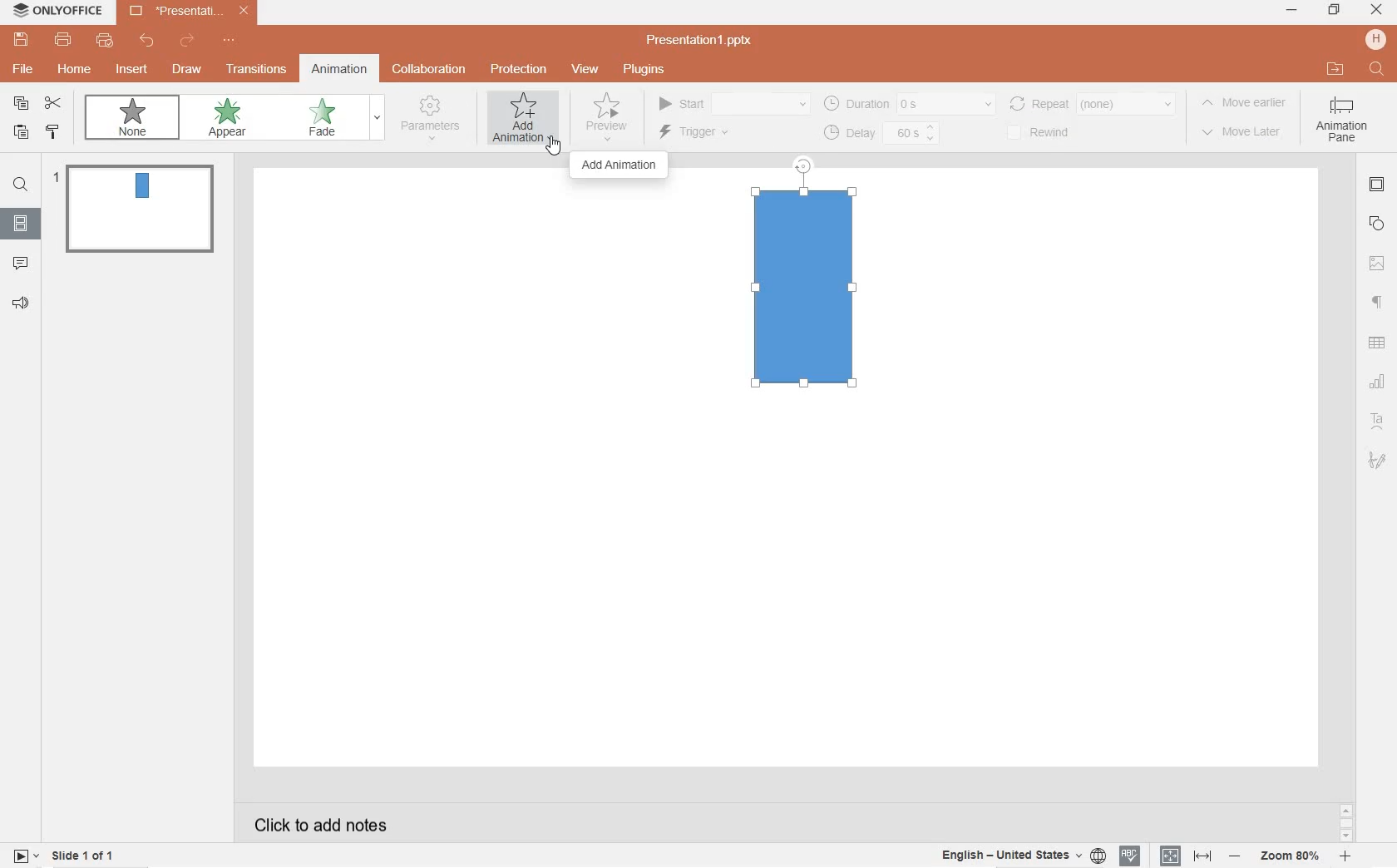 This screenshot has height=868, width=1397. Describe the element at coordinates (525, 117) in the screenshot. I see `add animation` at that location.